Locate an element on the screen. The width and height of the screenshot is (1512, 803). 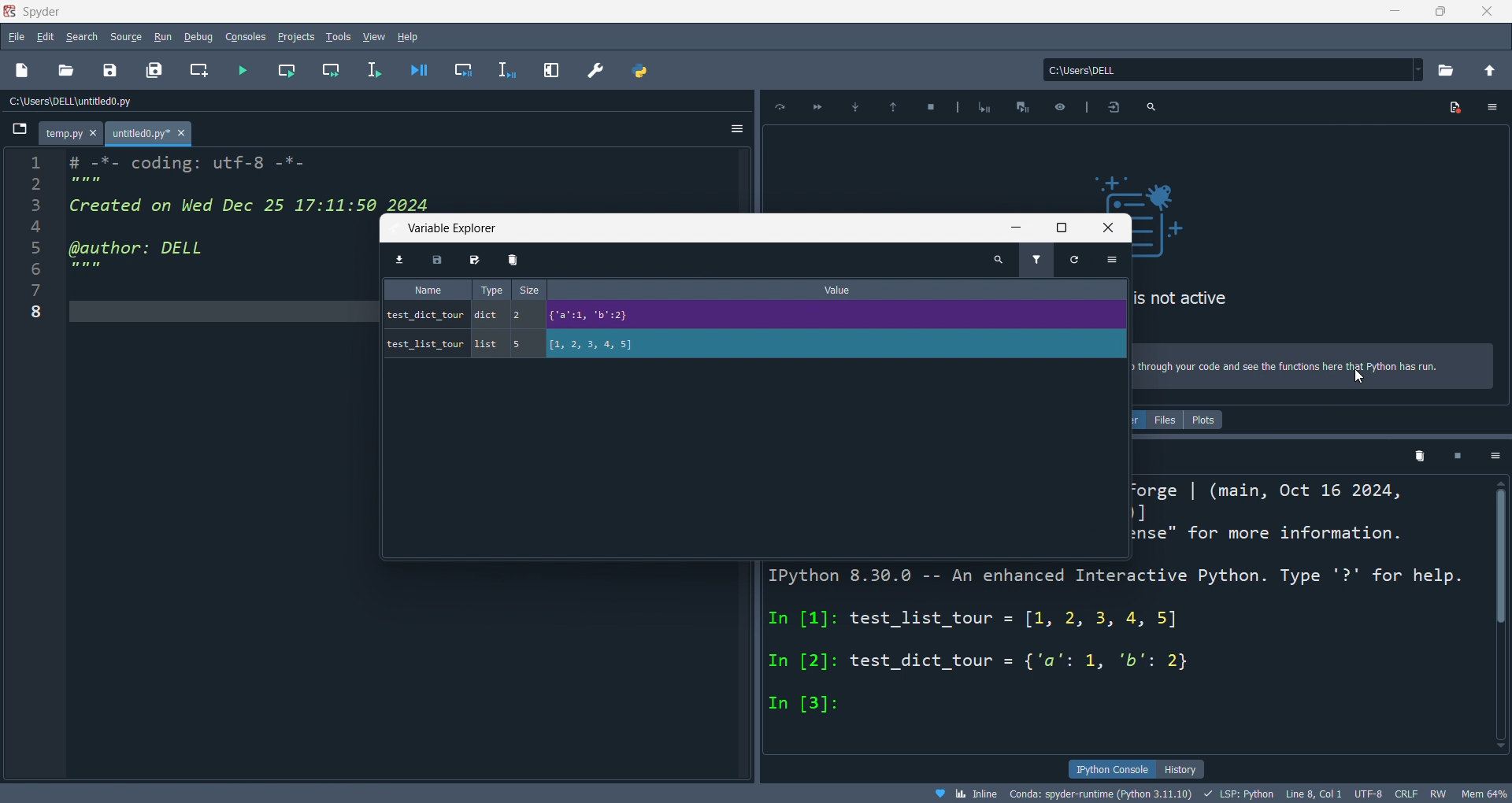
icon is located at coordinates (1156, 109).